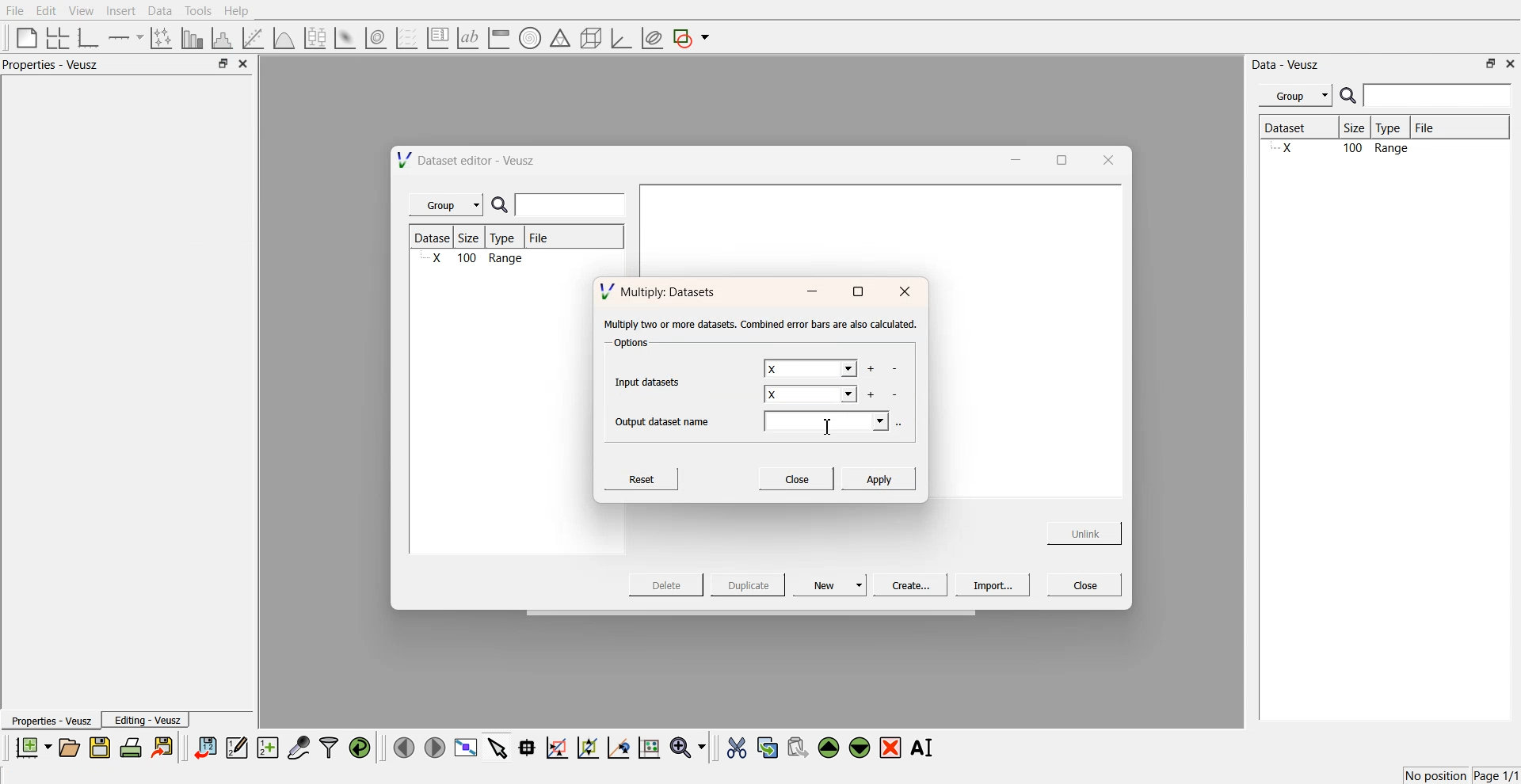 The width and height of the screenshot is (1521, 784). What do you see at coordinates (688, 748) in the screenshot?
I see `zoom funtions` at bounding box center [688, 748].